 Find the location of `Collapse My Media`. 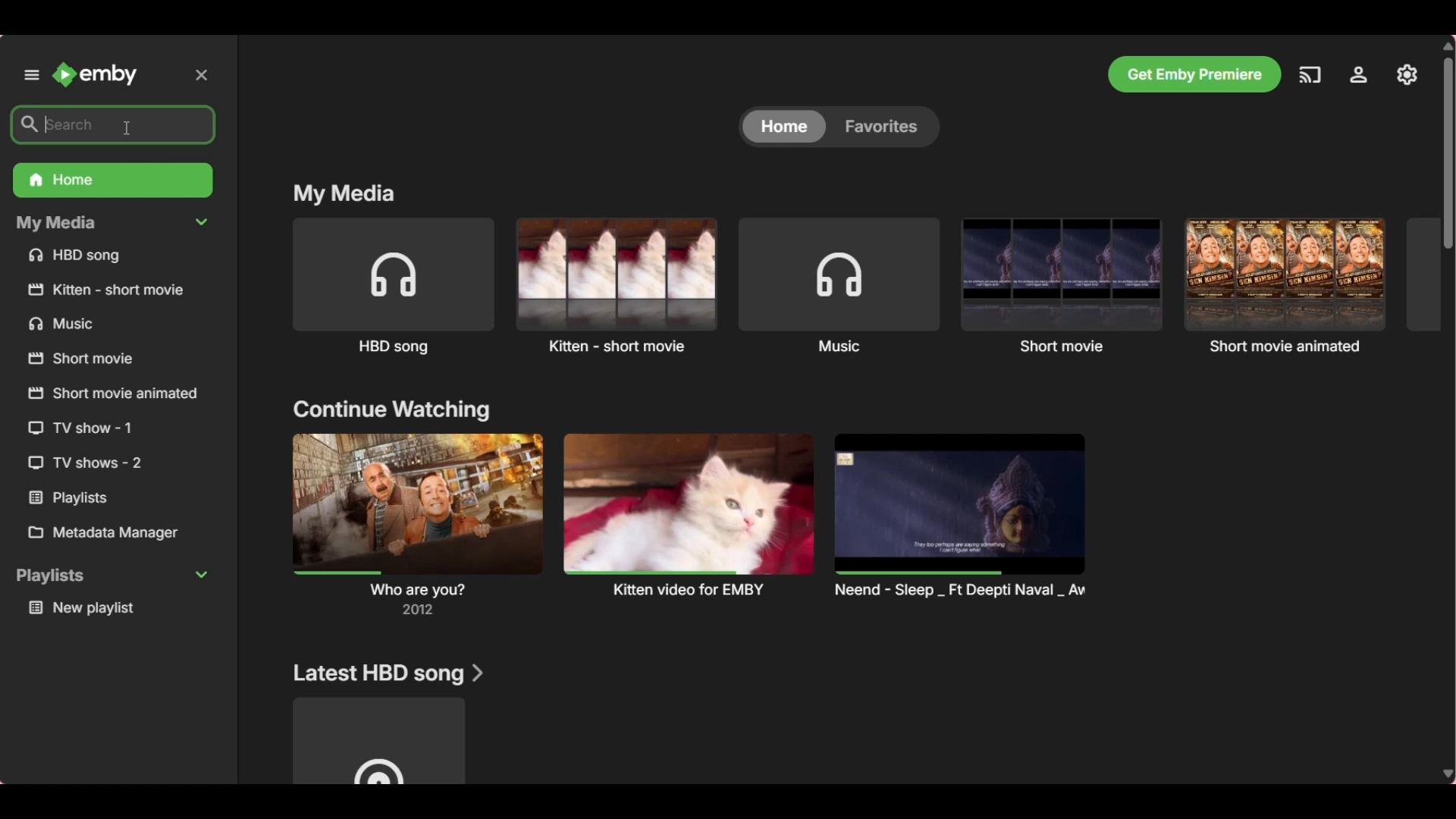

Collapse My Media is located at coordinates (113, 224).